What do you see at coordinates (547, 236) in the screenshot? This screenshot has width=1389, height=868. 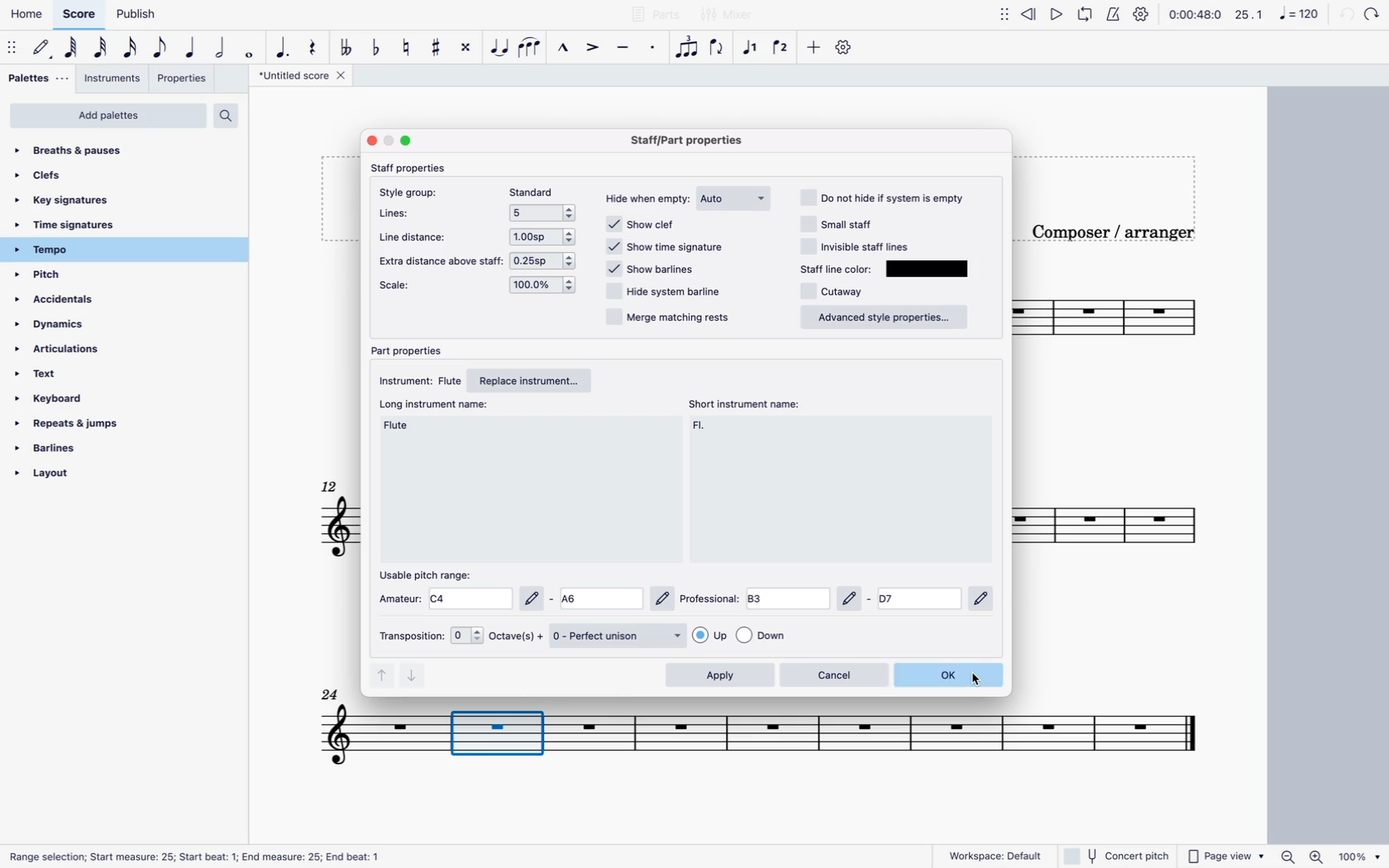 I see `options` at bounding box center [547, 236].